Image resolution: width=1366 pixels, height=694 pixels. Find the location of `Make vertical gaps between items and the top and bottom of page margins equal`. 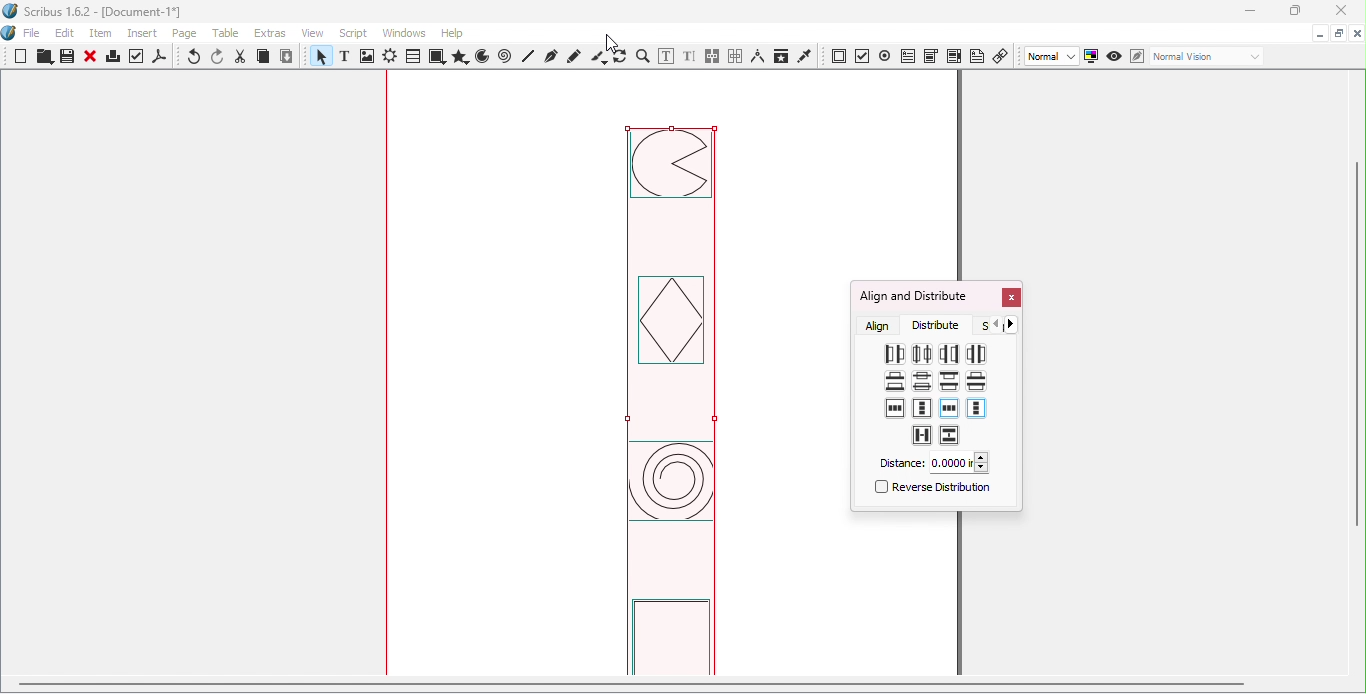

Make vertical gaps between items and the top and bottom of page margins equal is located at coordinates (976, 409).